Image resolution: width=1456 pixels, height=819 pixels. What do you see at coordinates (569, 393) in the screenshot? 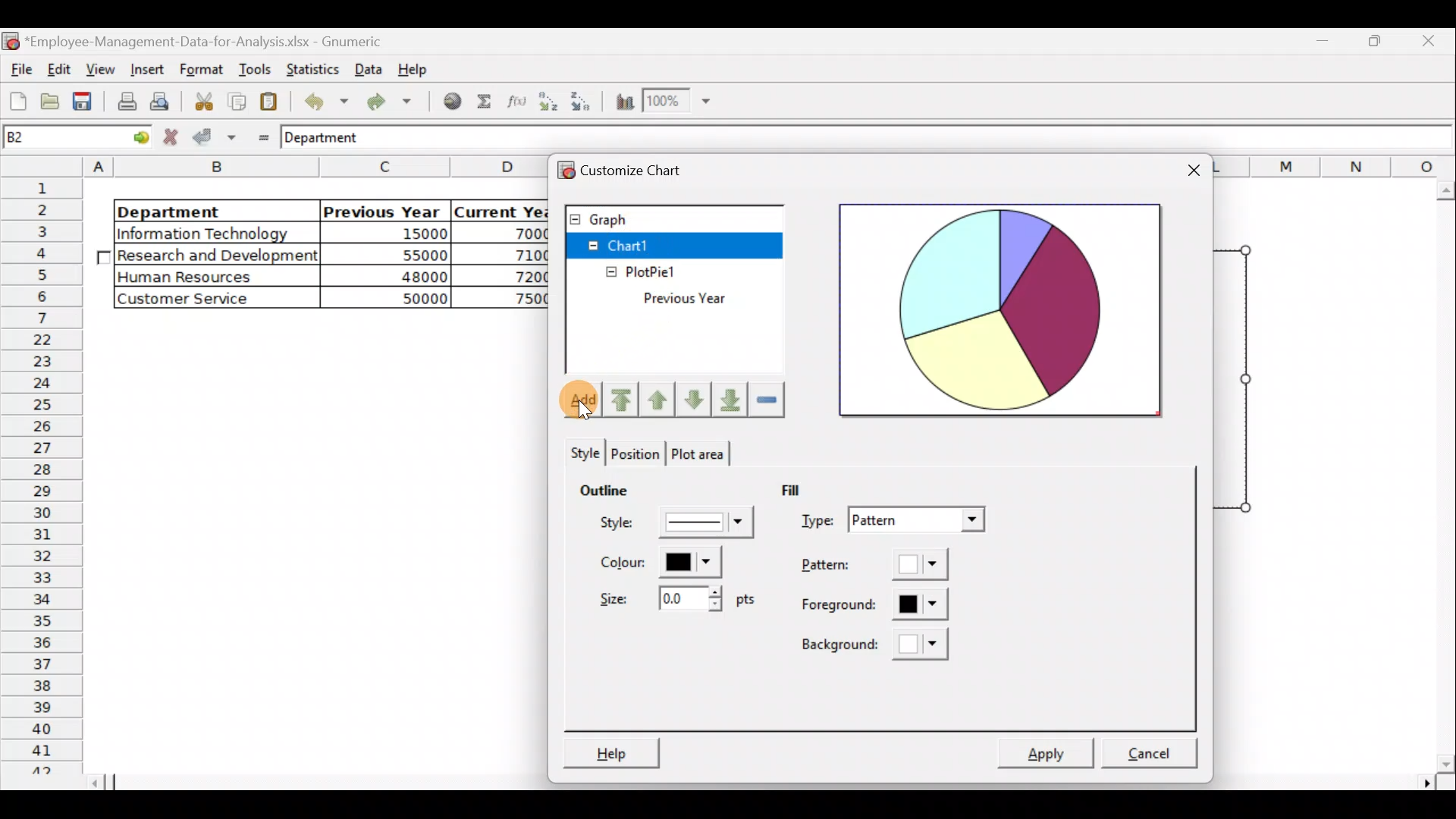
I see `Cursor on Add` at bounding box center [569, 393].